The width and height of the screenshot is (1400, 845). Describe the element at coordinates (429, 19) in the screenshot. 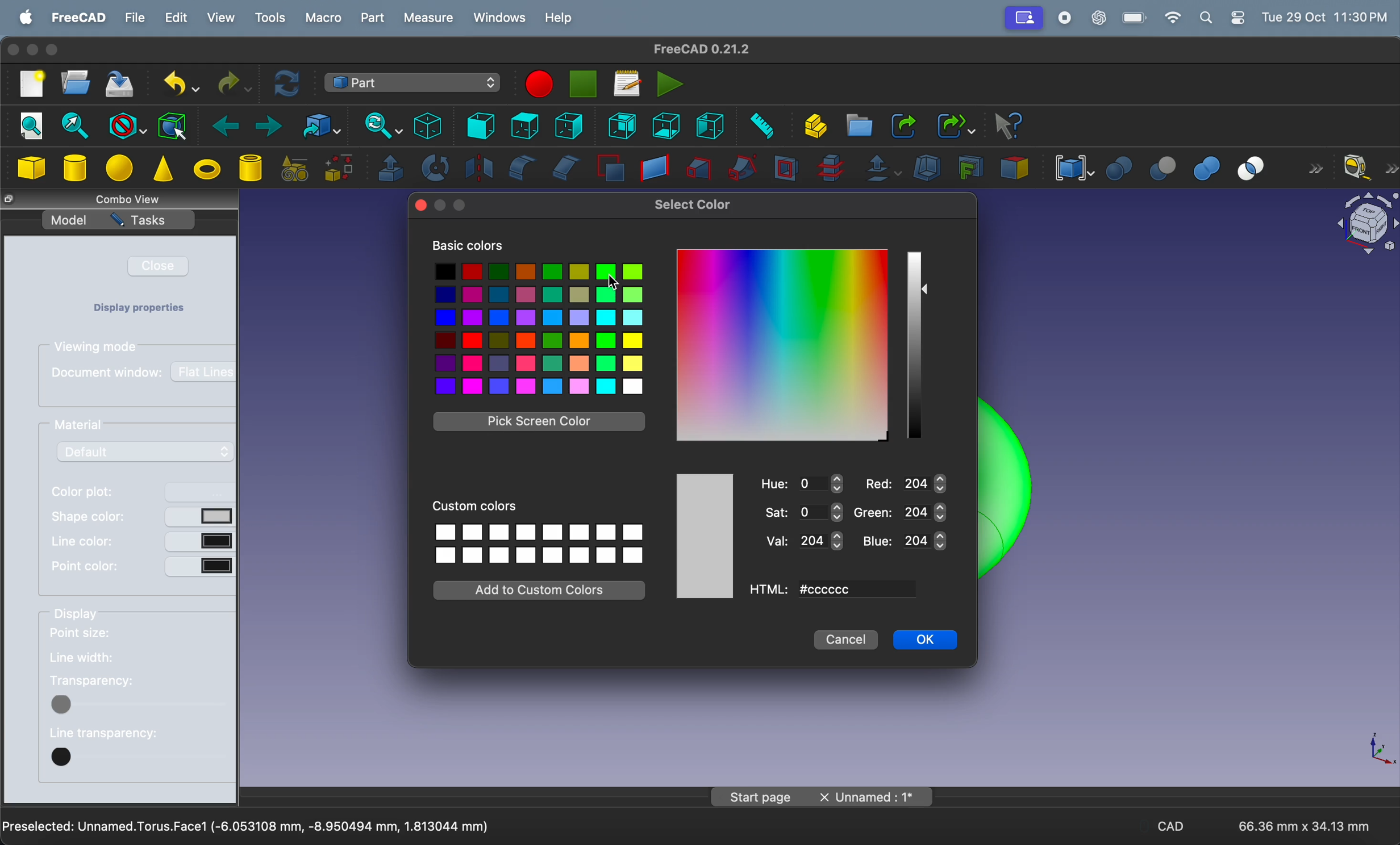

I see `measure` at that location.